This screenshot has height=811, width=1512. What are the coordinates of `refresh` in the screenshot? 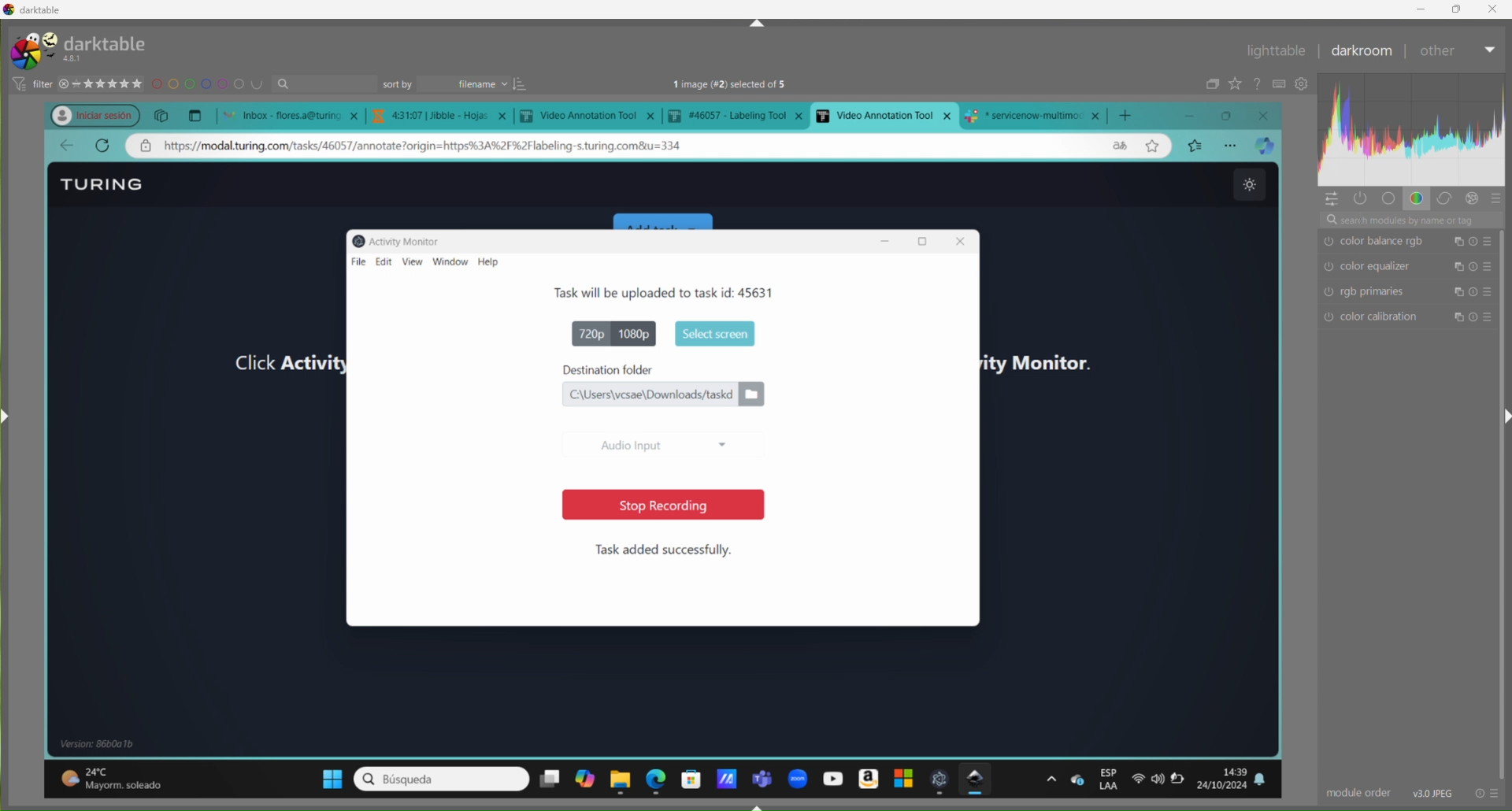 It's located at (102, 146).